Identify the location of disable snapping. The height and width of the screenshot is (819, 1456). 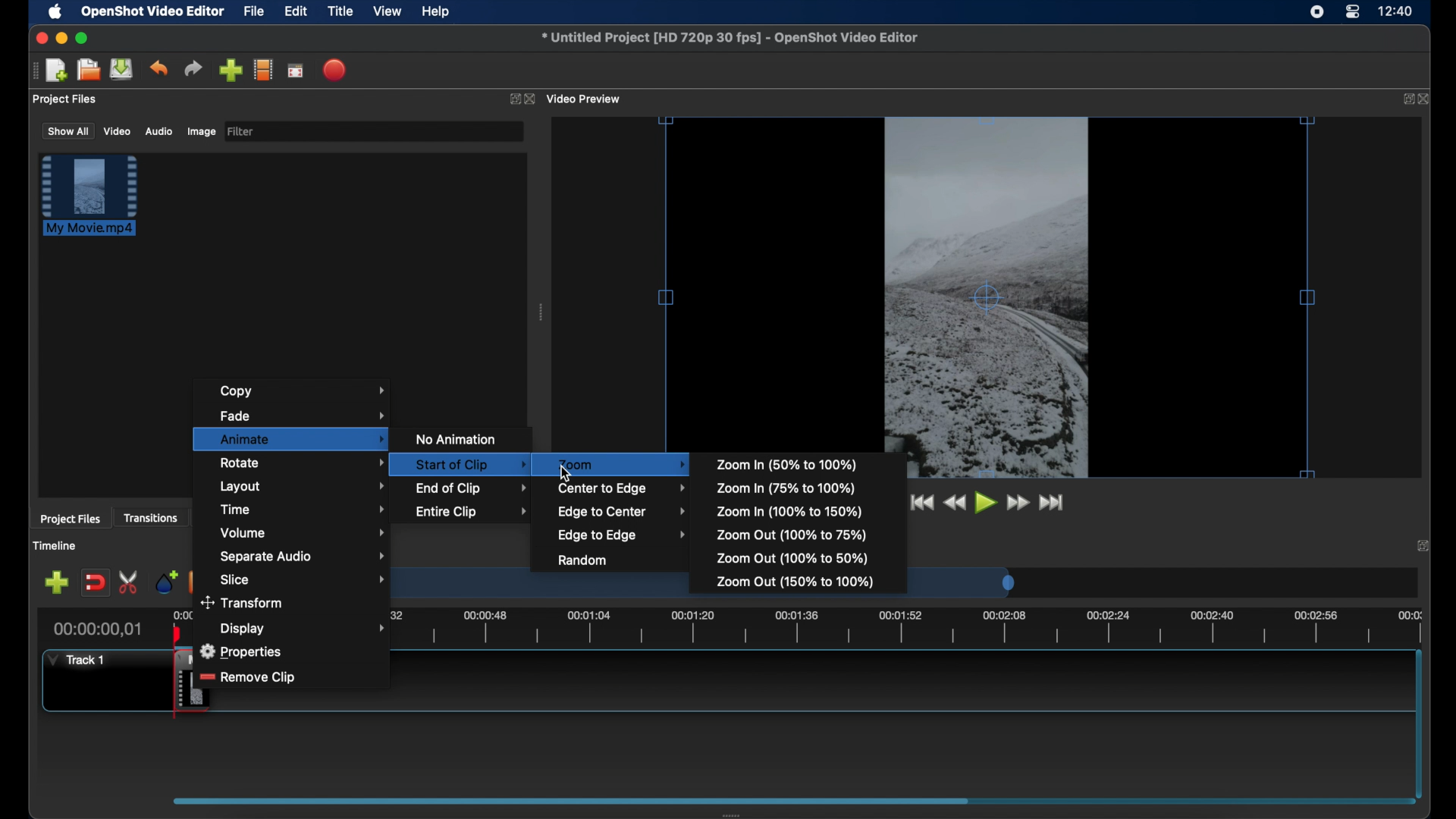
(95, 583).